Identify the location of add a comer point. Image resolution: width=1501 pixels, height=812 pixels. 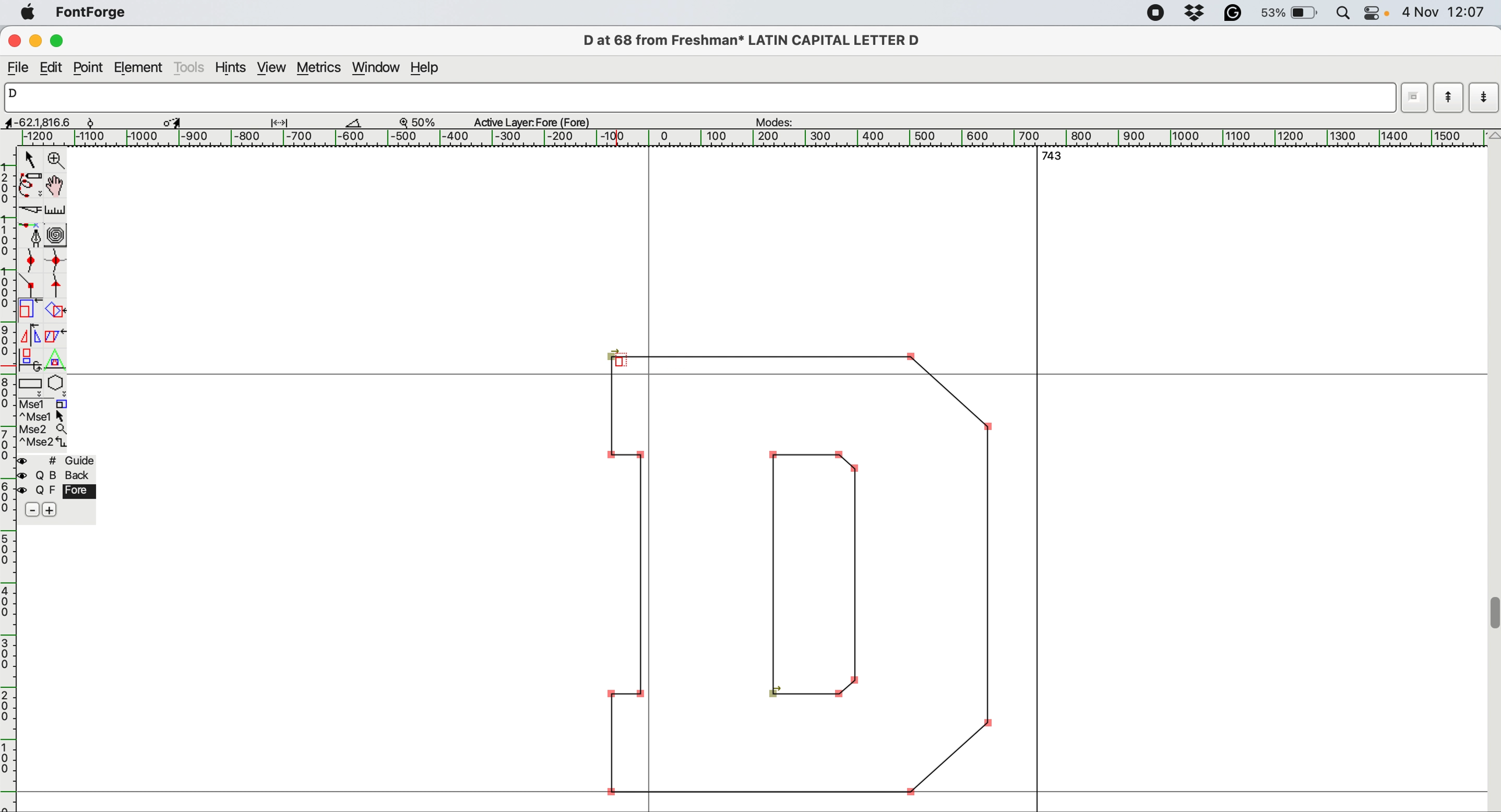
(30, 286).